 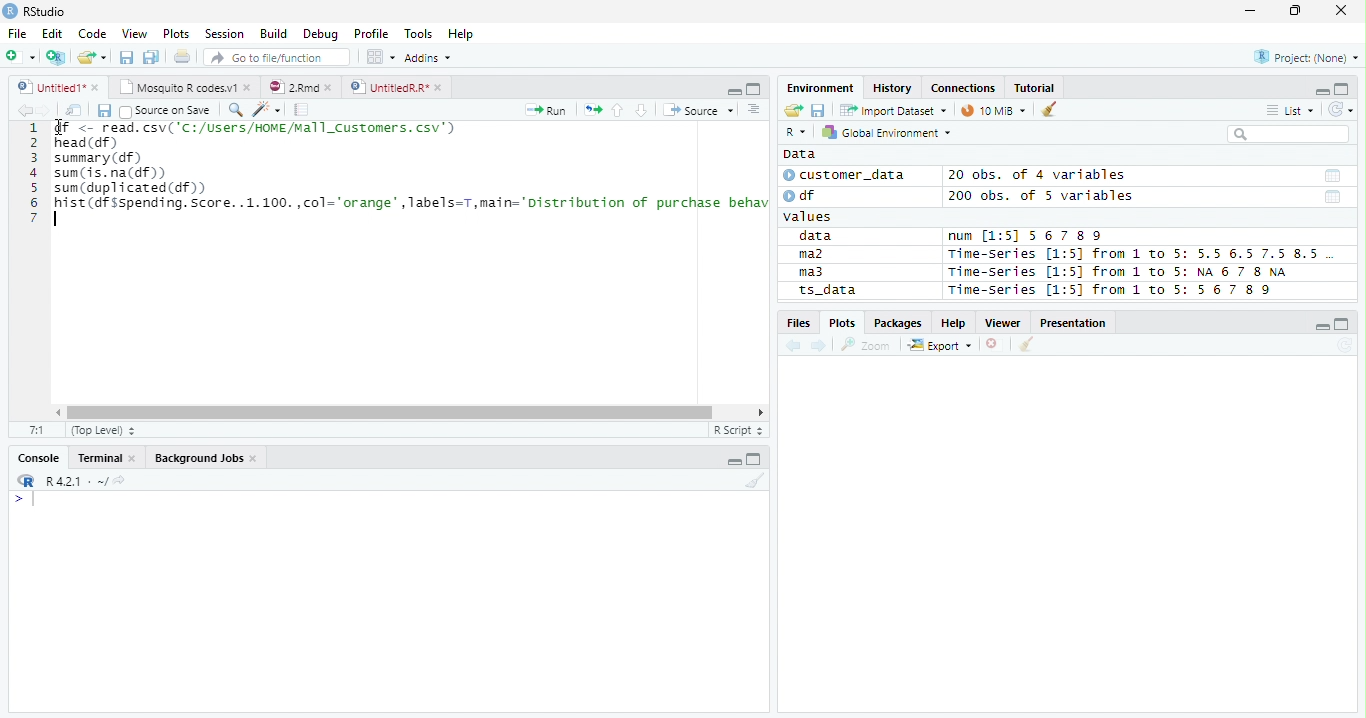 I want to click on Clean, so click(x=755, y=482).